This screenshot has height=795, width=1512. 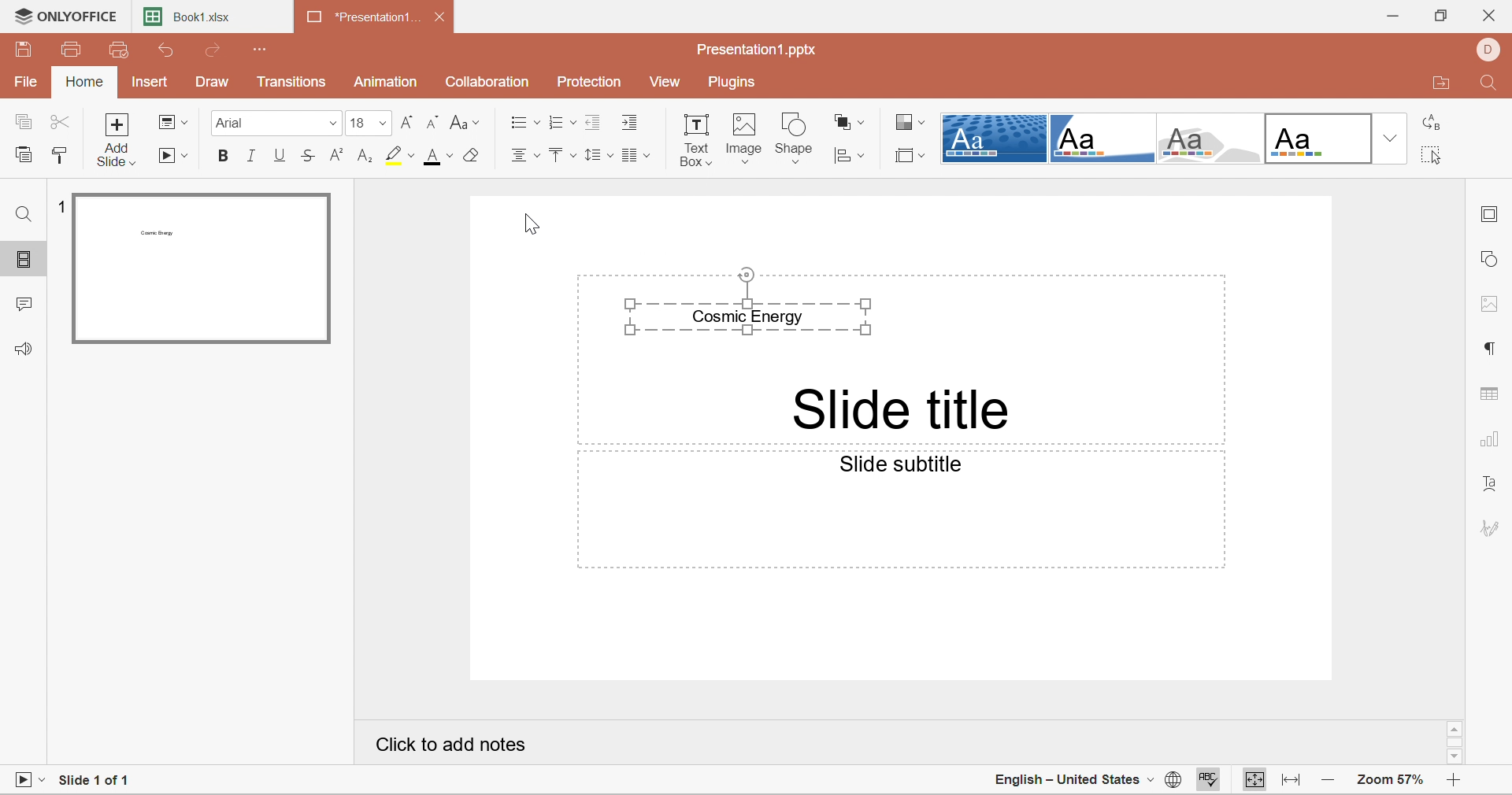 What do you see at coordinates (851, 155) in the screenshot?
I see `Align shape` at bounding box center [851, 155].